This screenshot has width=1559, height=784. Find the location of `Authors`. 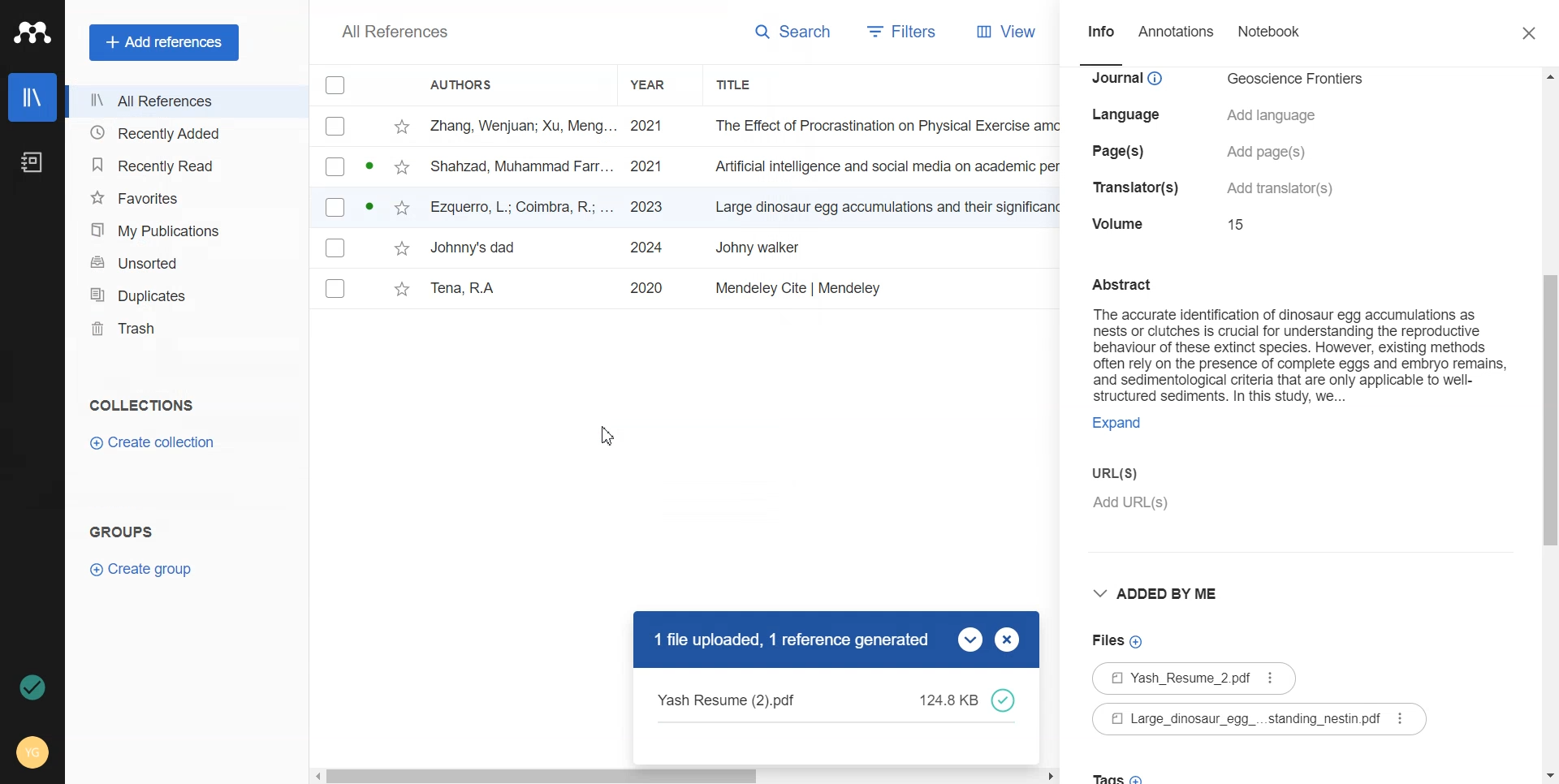

Authors is located at coordinates (469, 84).